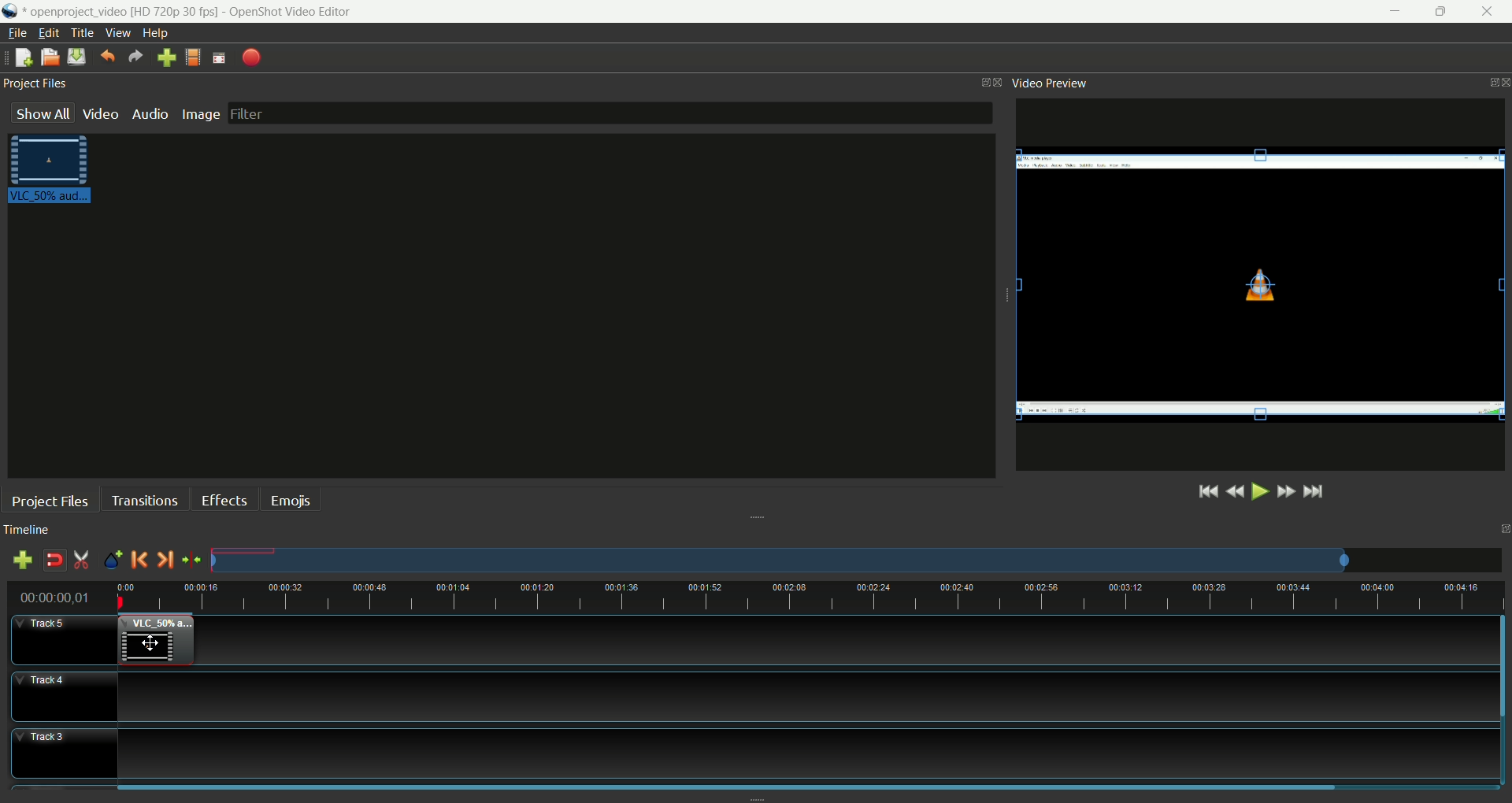  Describe the element at coordinates (157, 33) in the screenshot. I see `help` at that location.